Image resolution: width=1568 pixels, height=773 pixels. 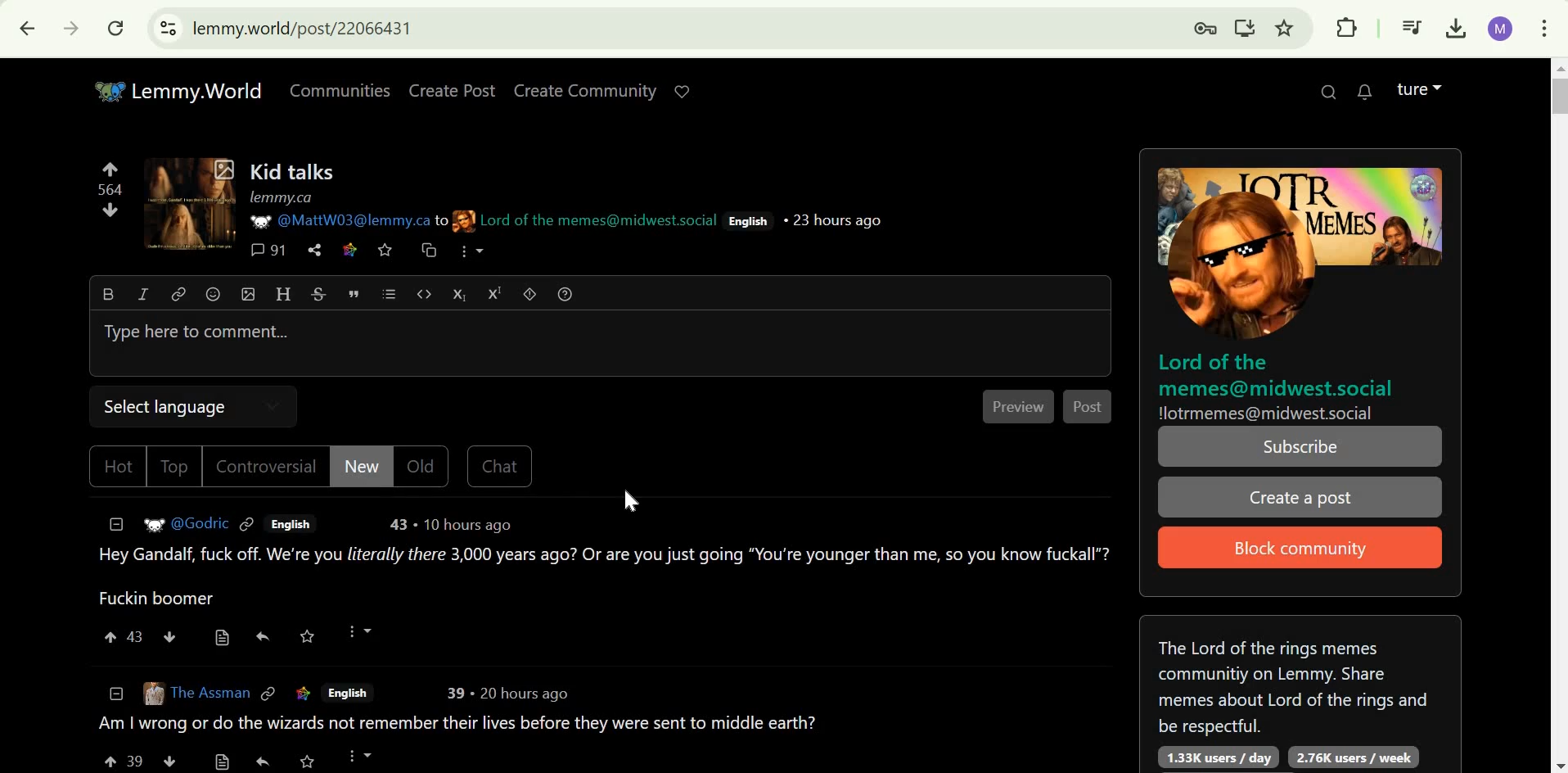 What do you see at coordinates (248, 522) in the screenshot?
I see `link` at bounding box center [248, 522].